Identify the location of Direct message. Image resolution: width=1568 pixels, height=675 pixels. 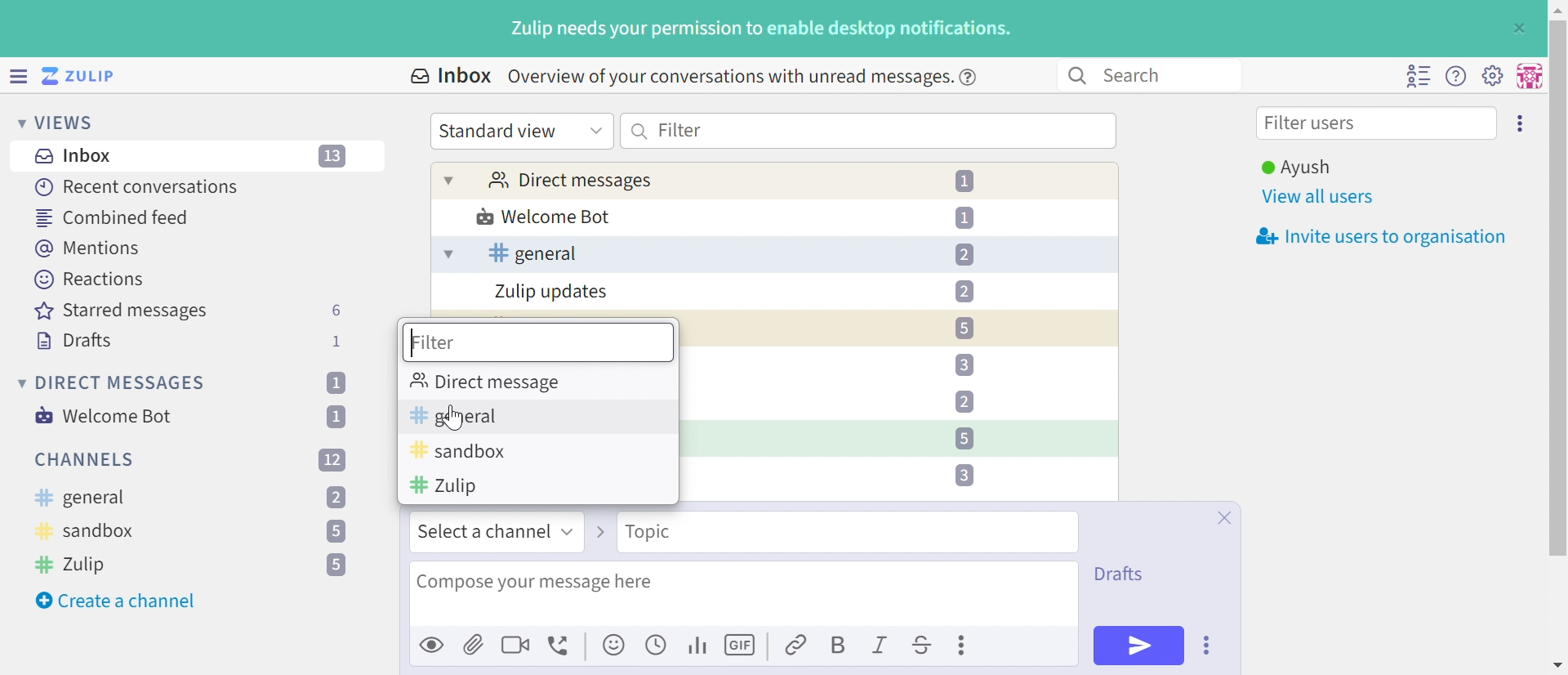
(491, 382).